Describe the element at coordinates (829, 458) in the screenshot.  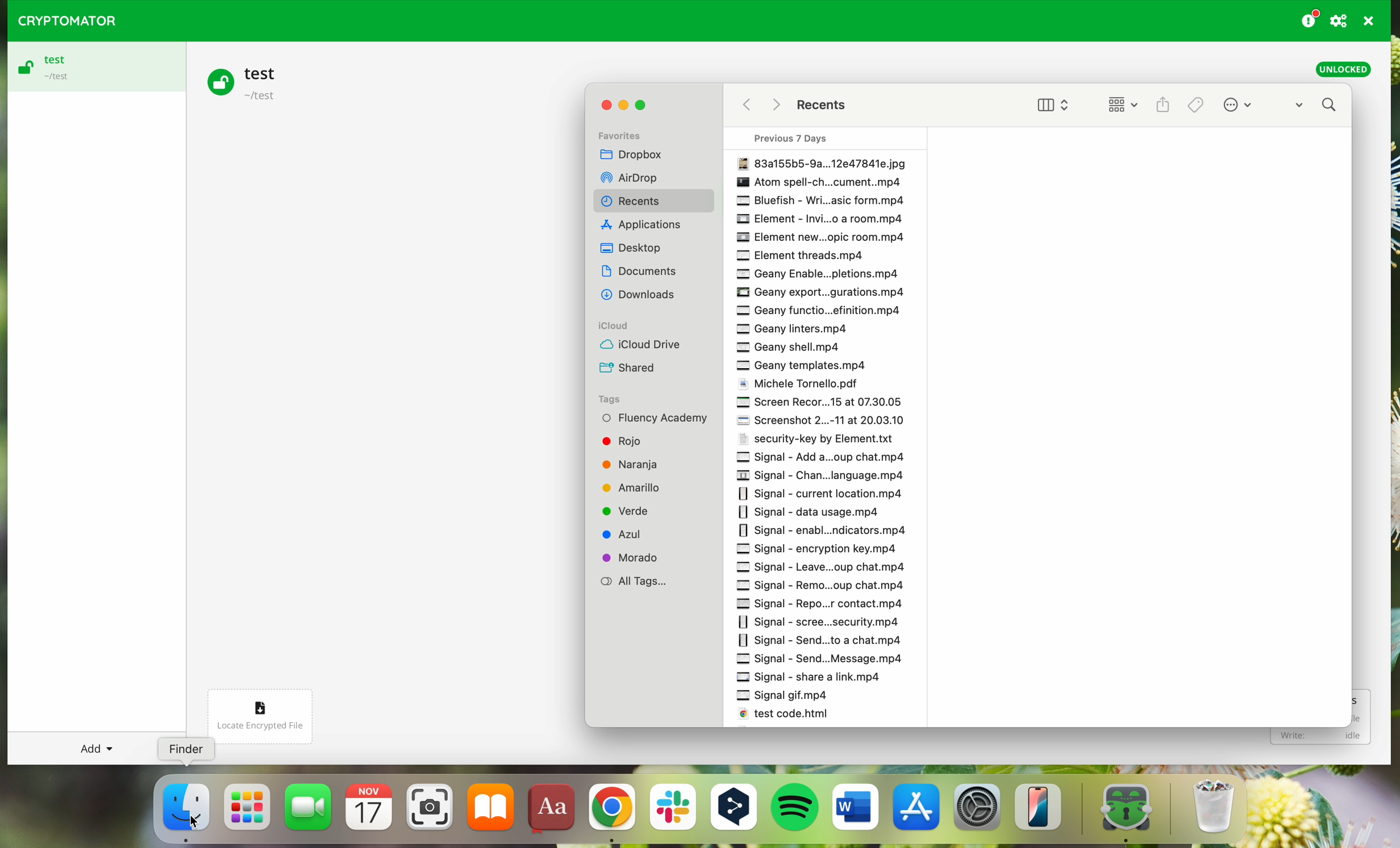
I see `signal add` at that location.